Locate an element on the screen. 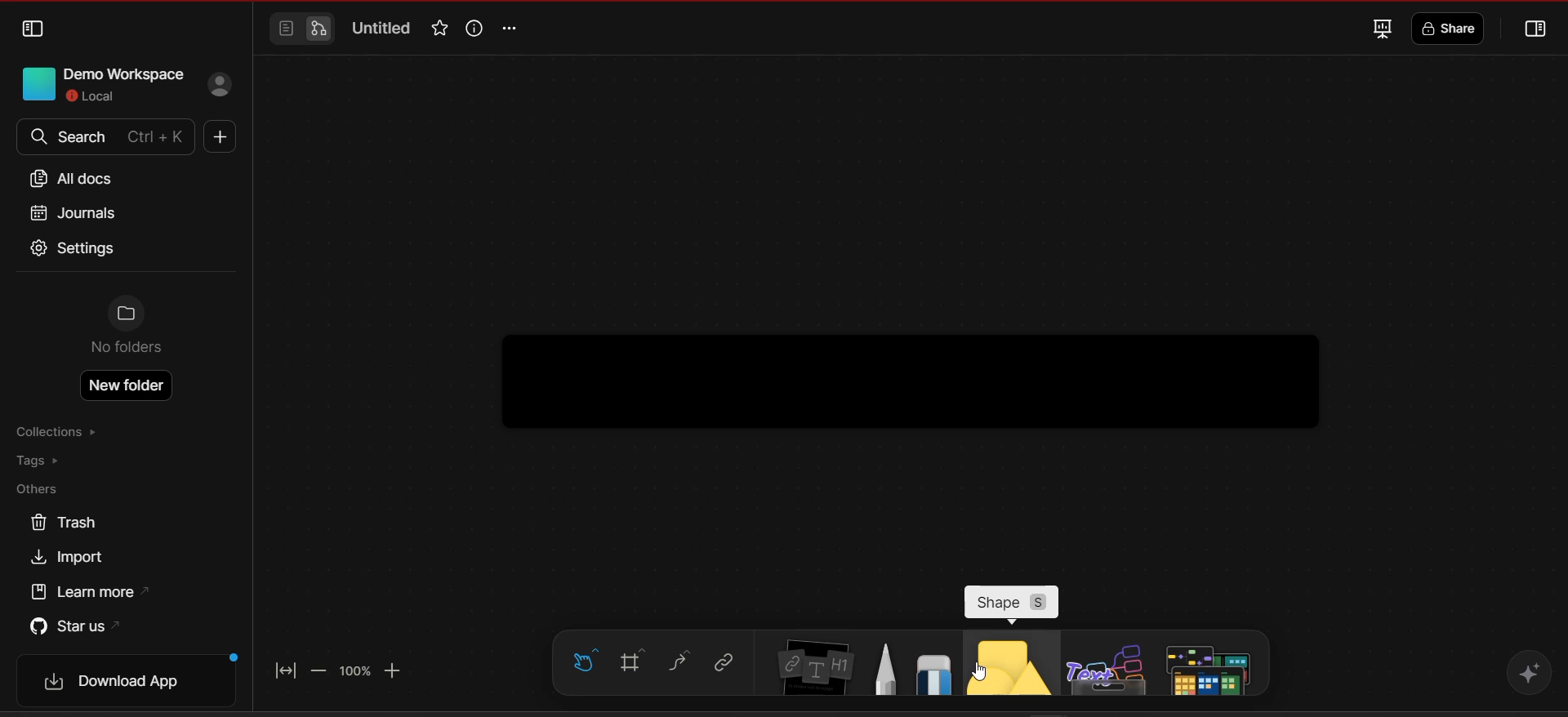  trash is located at coordinates (63, 523).